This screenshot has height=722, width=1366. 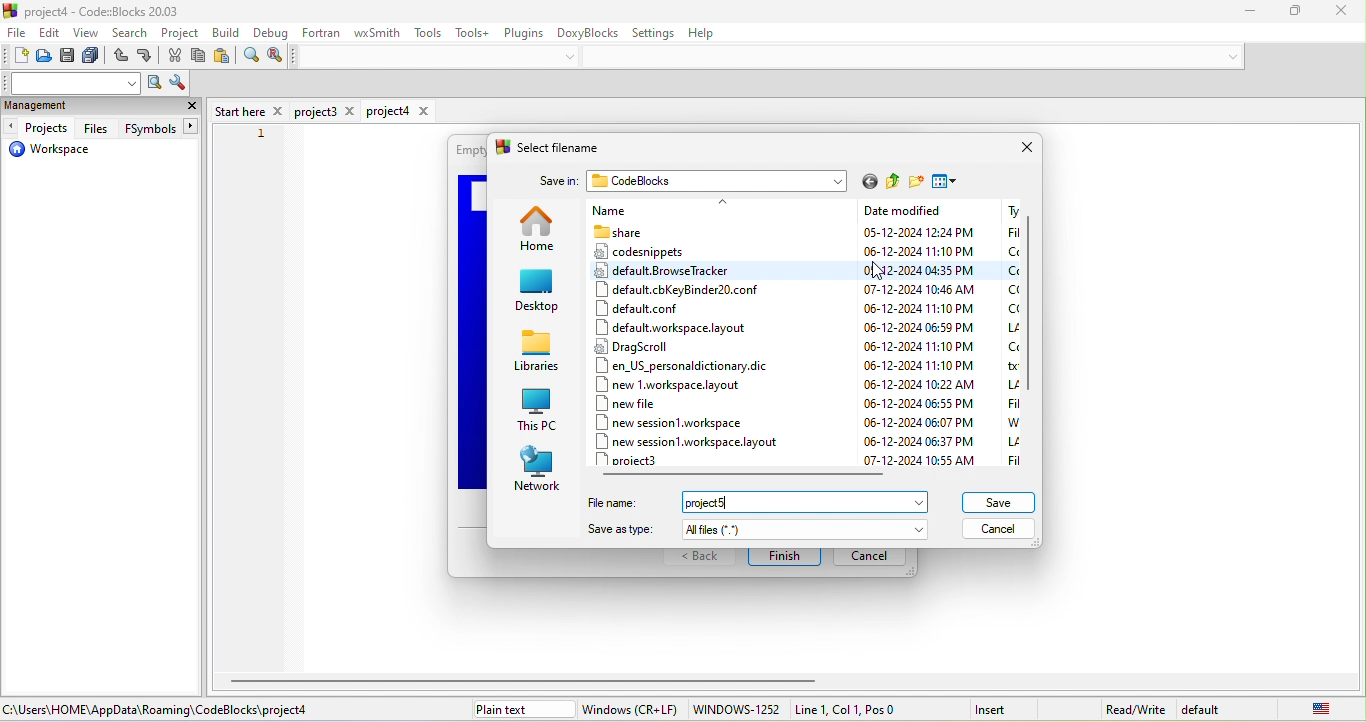 I want to click on window, so click(x=631, y=709).